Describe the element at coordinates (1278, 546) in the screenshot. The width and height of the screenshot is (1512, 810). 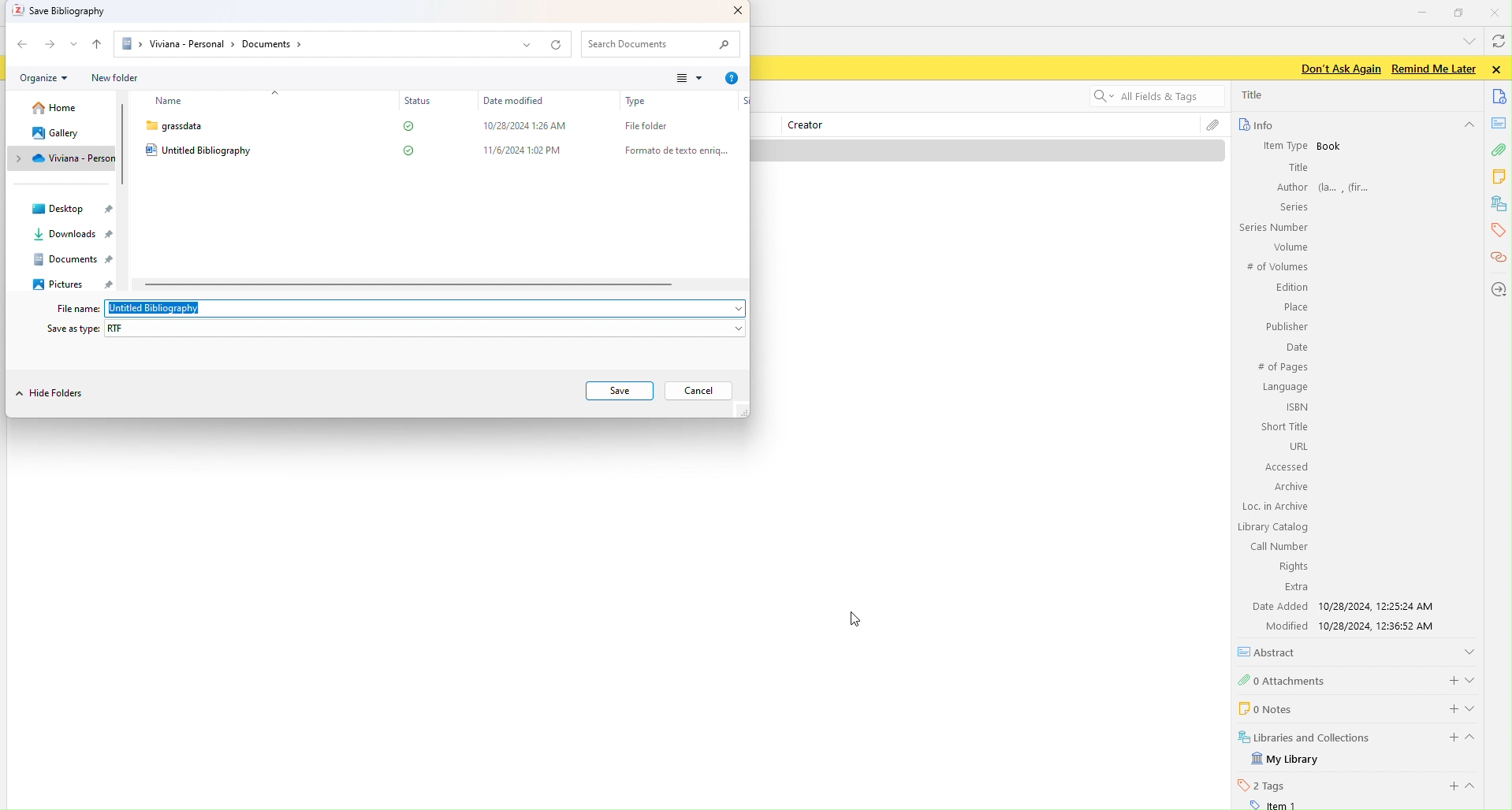
I see `Call Number` at that location.